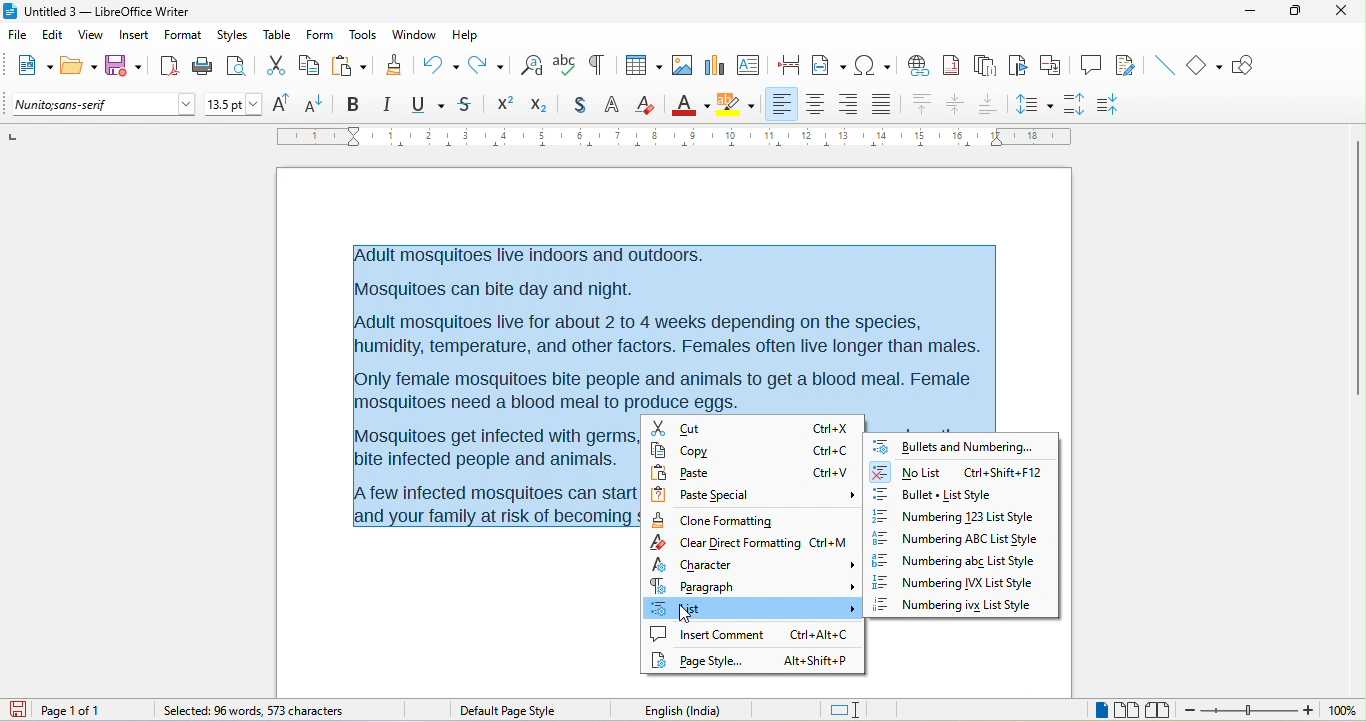  What do you see at coordinates (683, 67) in the screenshot?
I see `image` at bounding box center [683, 67].